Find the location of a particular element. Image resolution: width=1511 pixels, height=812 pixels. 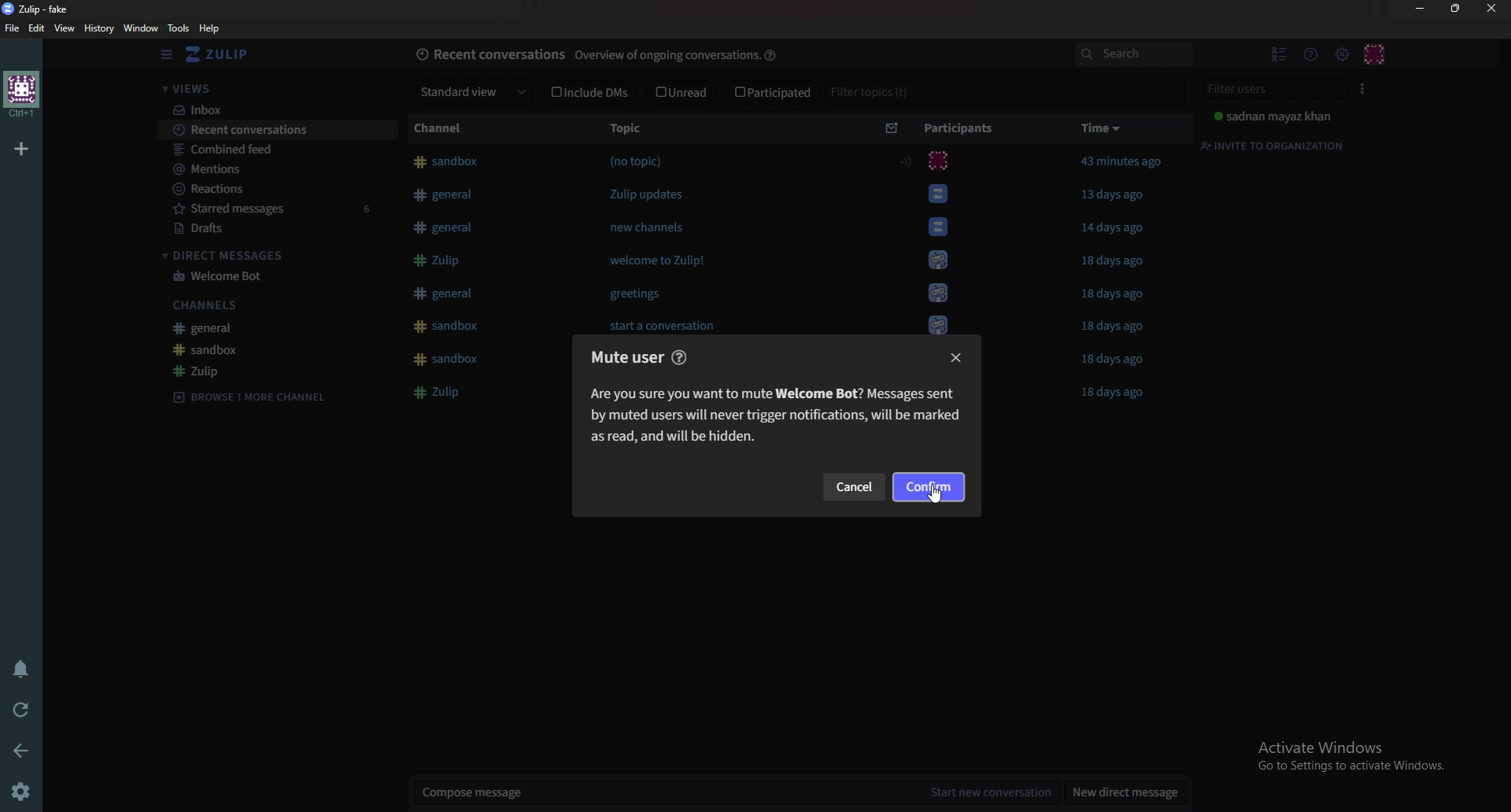

Reactions is located at coordinates (284, 187).